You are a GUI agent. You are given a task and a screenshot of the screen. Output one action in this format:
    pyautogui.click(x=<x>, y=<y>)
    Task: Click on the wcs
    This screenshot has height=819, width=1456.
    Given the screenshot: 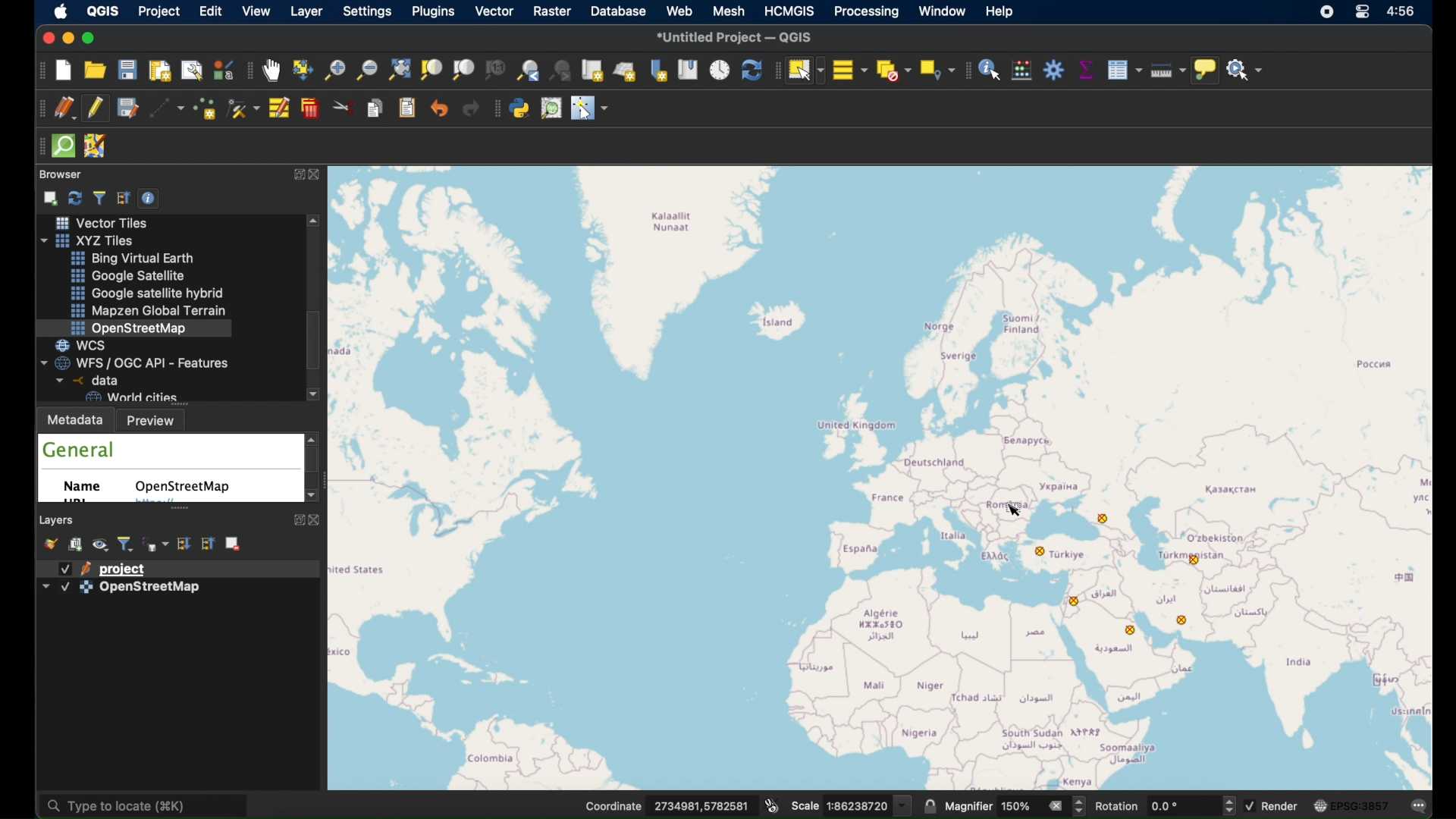 What is the action you would take?
    pyautogui.click(x=88, y=344)
    